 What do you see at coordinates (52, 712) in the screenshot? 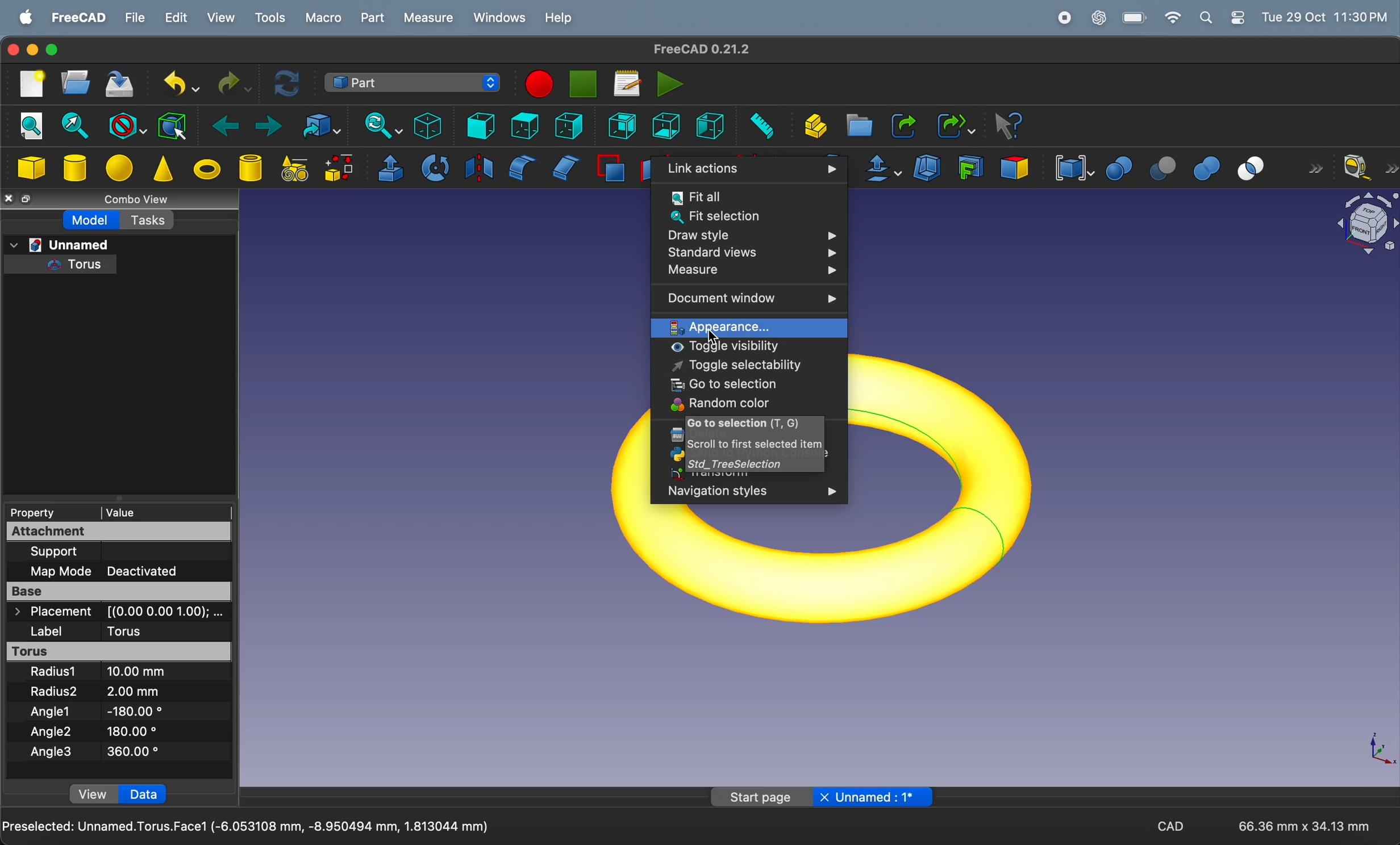
I see `Angle 1` at bounding box center [52, 712].